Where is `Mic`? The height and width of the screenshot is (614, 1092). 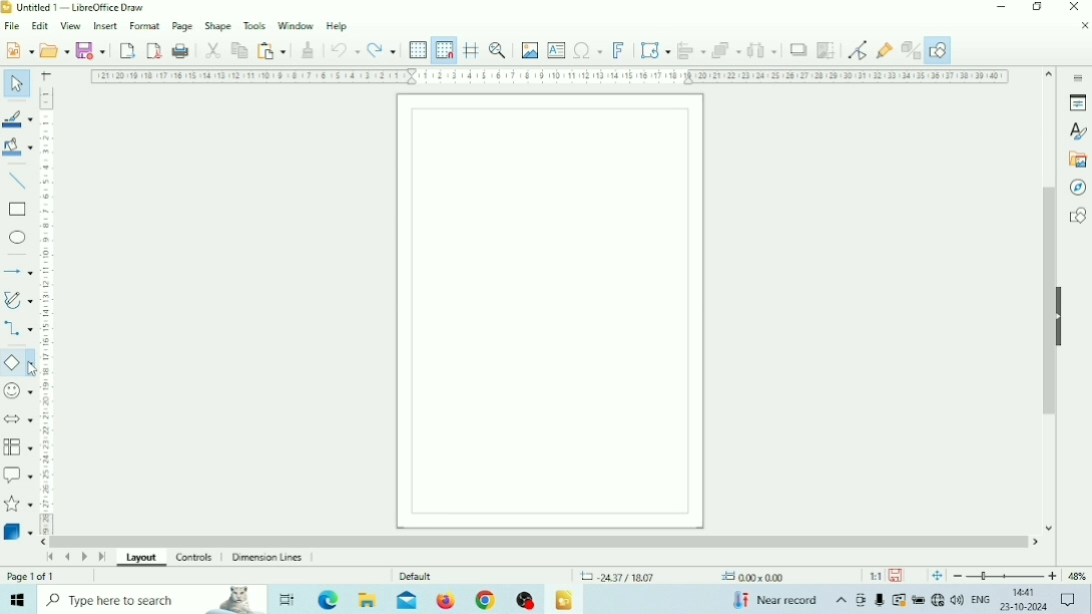
Mic is located at coordinates (878, 601).